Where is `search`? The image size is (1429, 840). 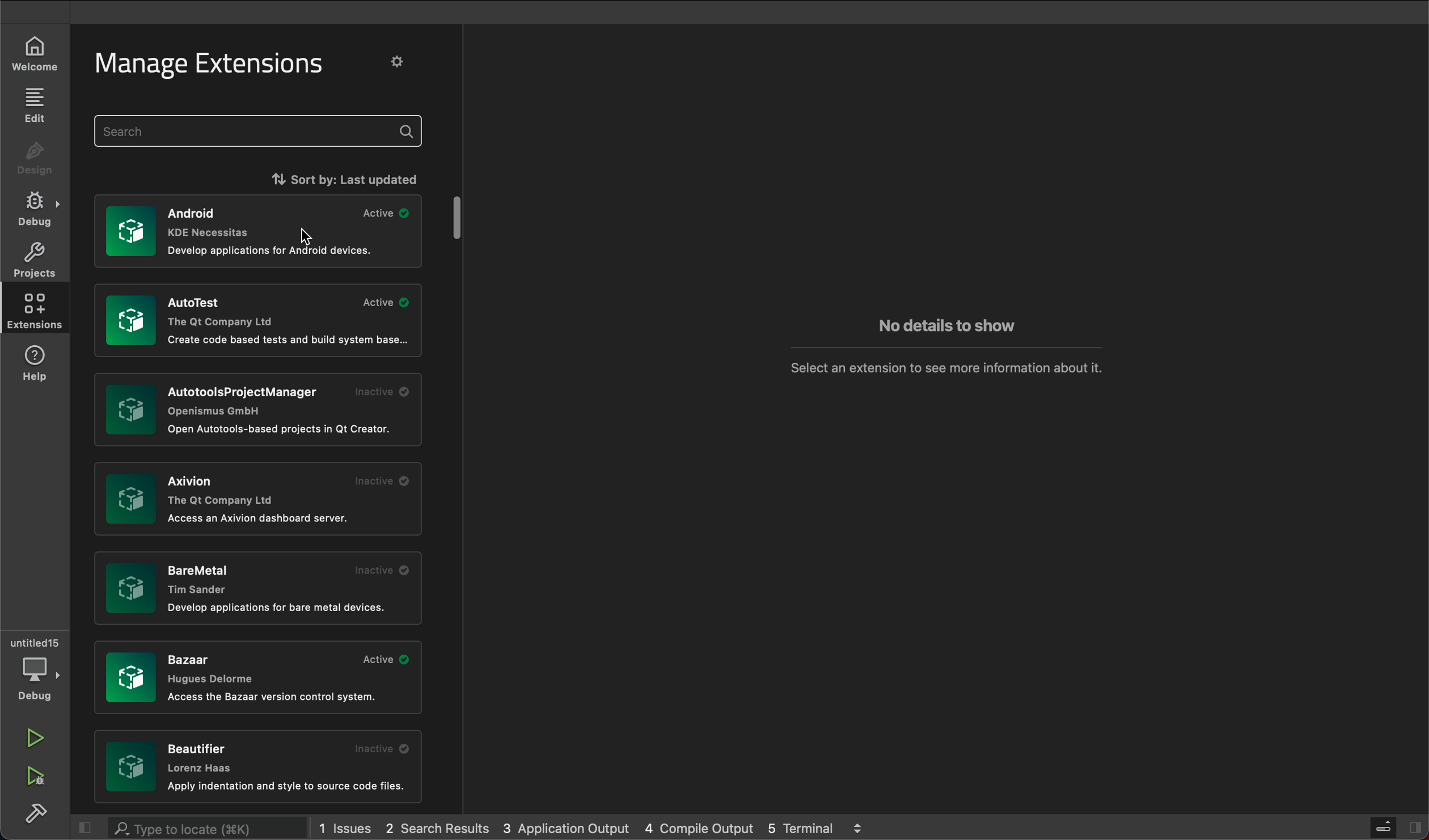 search is located at coordinates (261, 131).